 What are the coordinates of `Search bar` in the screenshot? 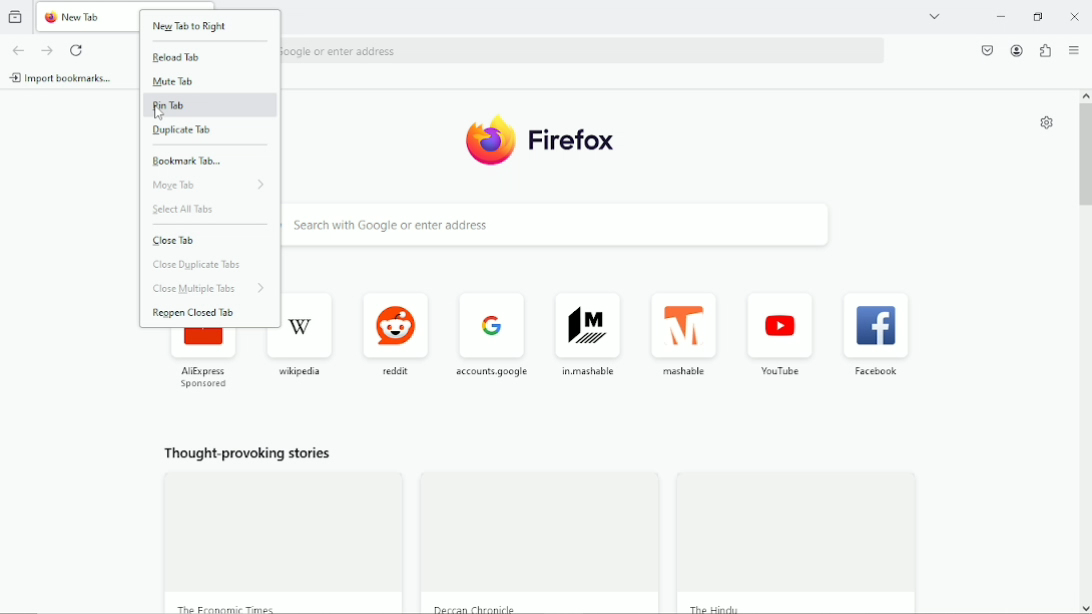 It's located at (586, 48).